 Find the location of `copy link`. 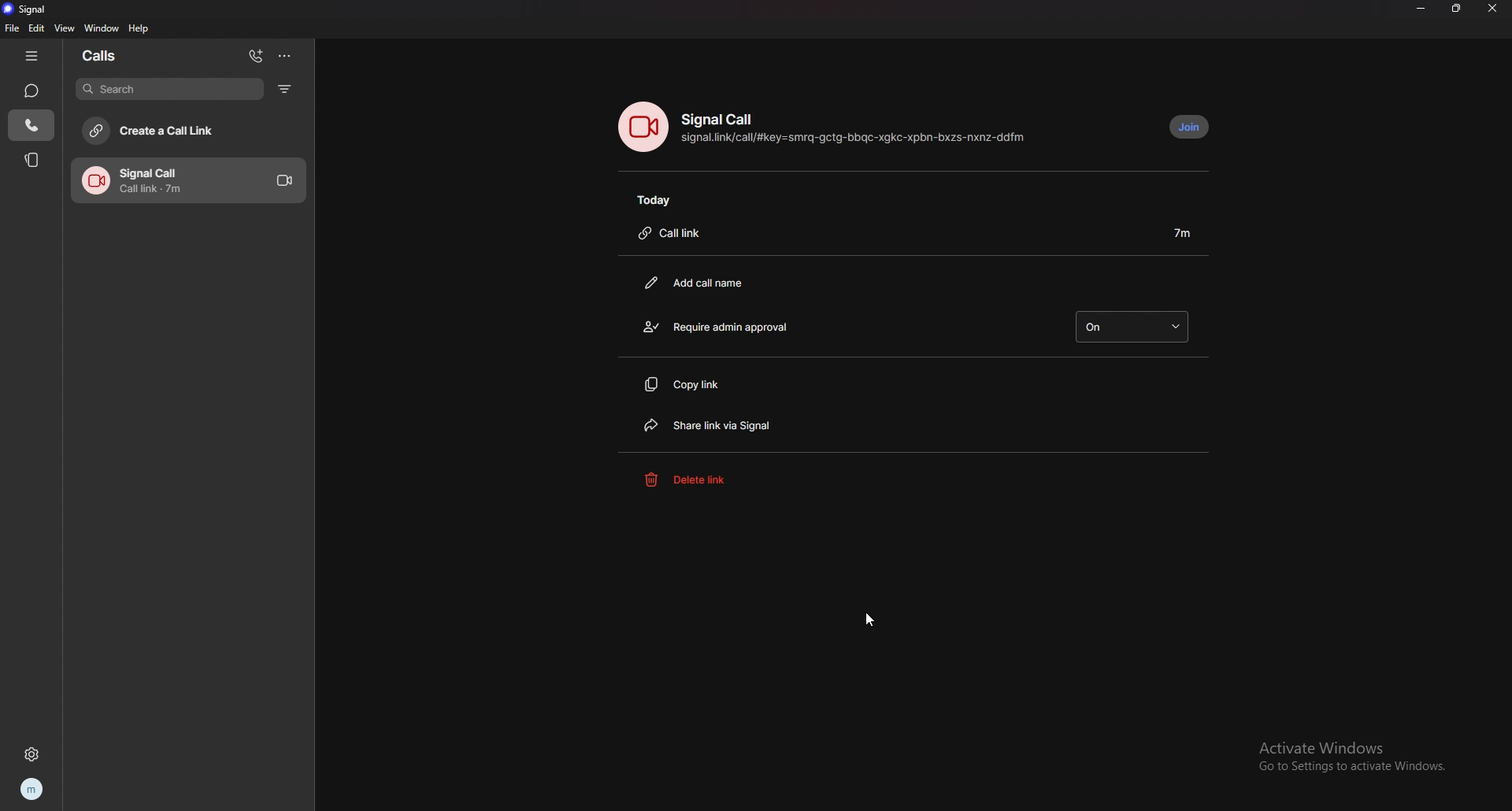

copy link is located at coordinates (722, 384).